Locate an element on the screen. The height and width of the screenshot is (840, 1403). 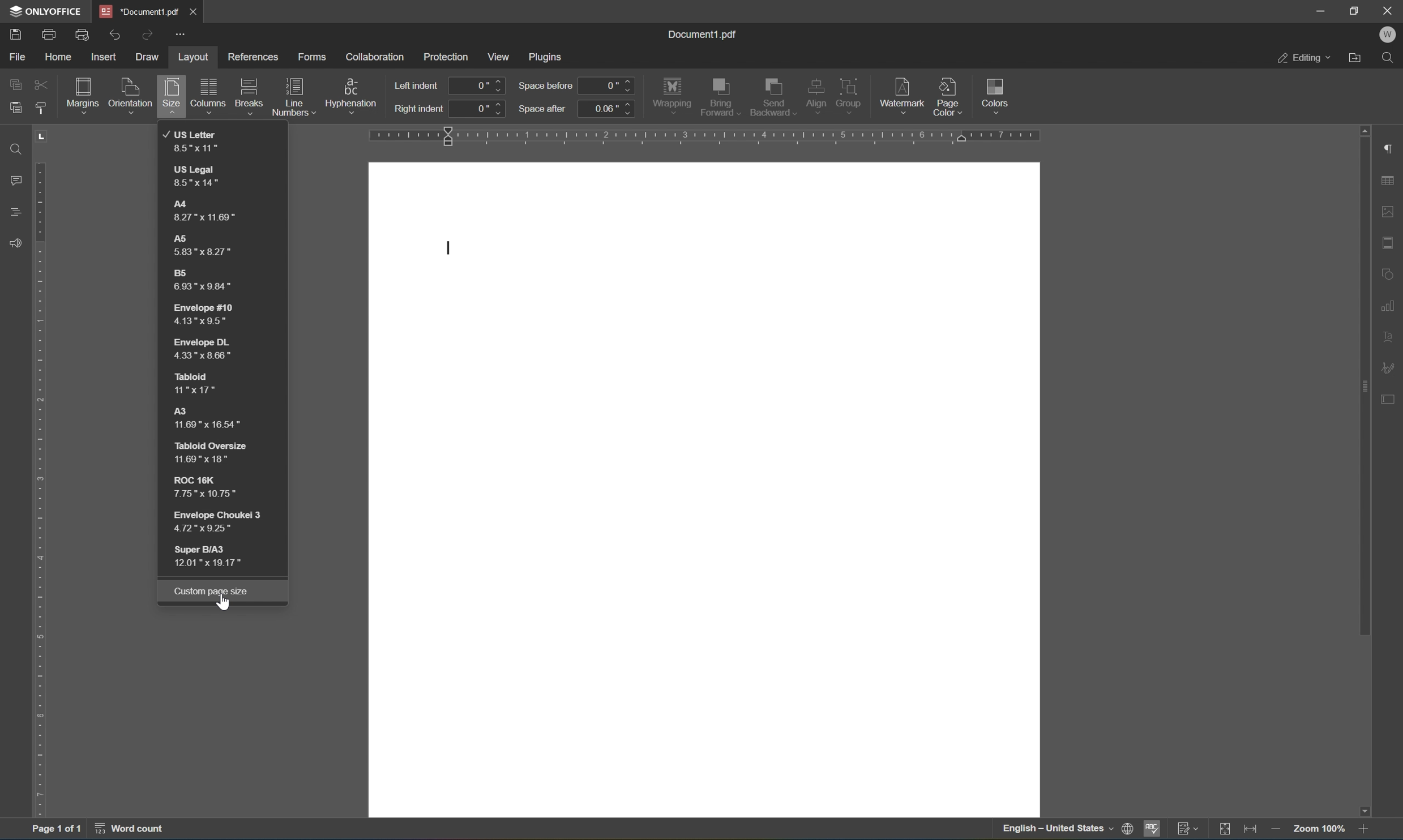
field is located at coordinates (41, 85).